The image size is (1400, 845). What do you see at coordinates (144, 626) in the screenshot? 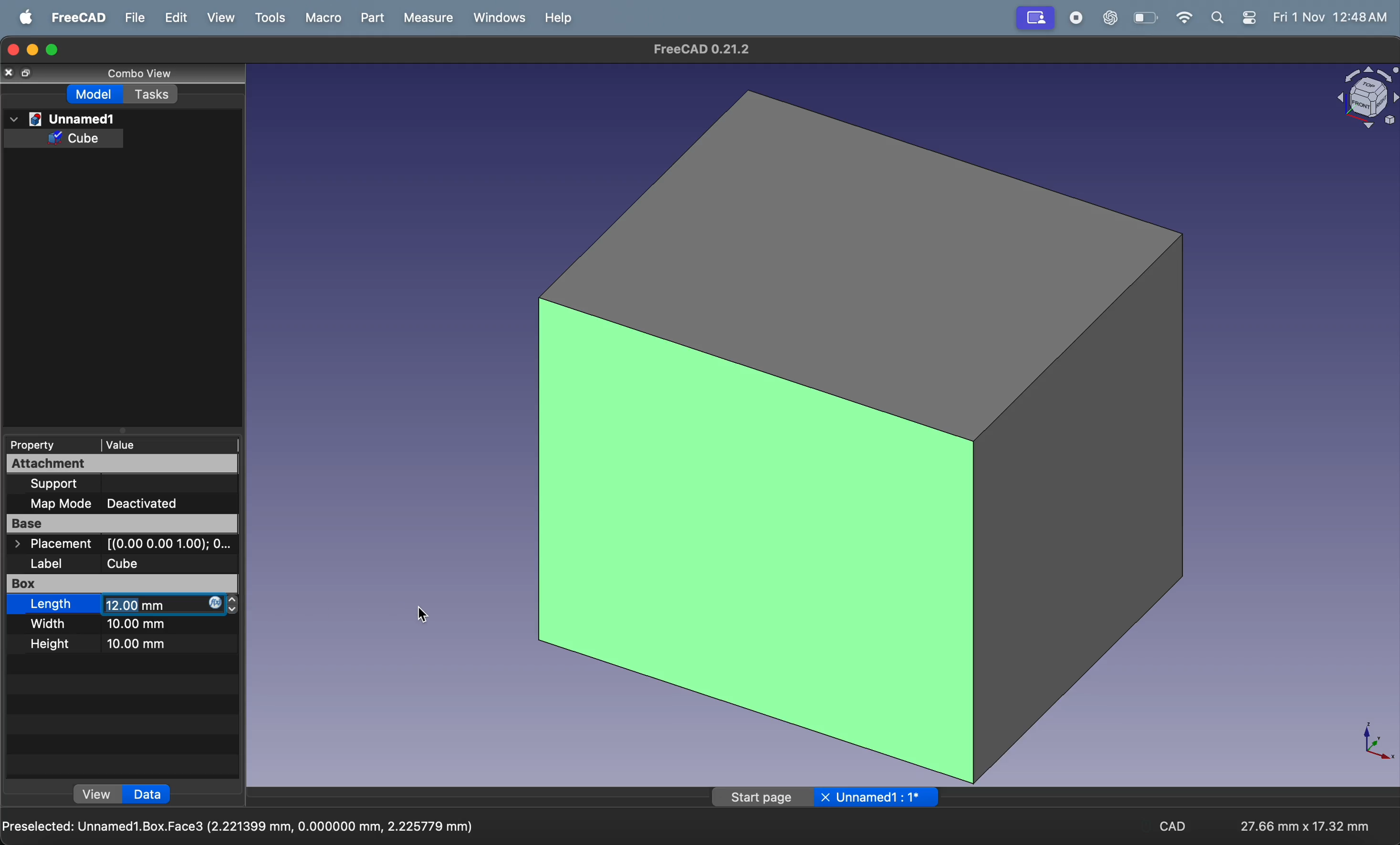
I see `1omm` at bounding box center [144, 626].